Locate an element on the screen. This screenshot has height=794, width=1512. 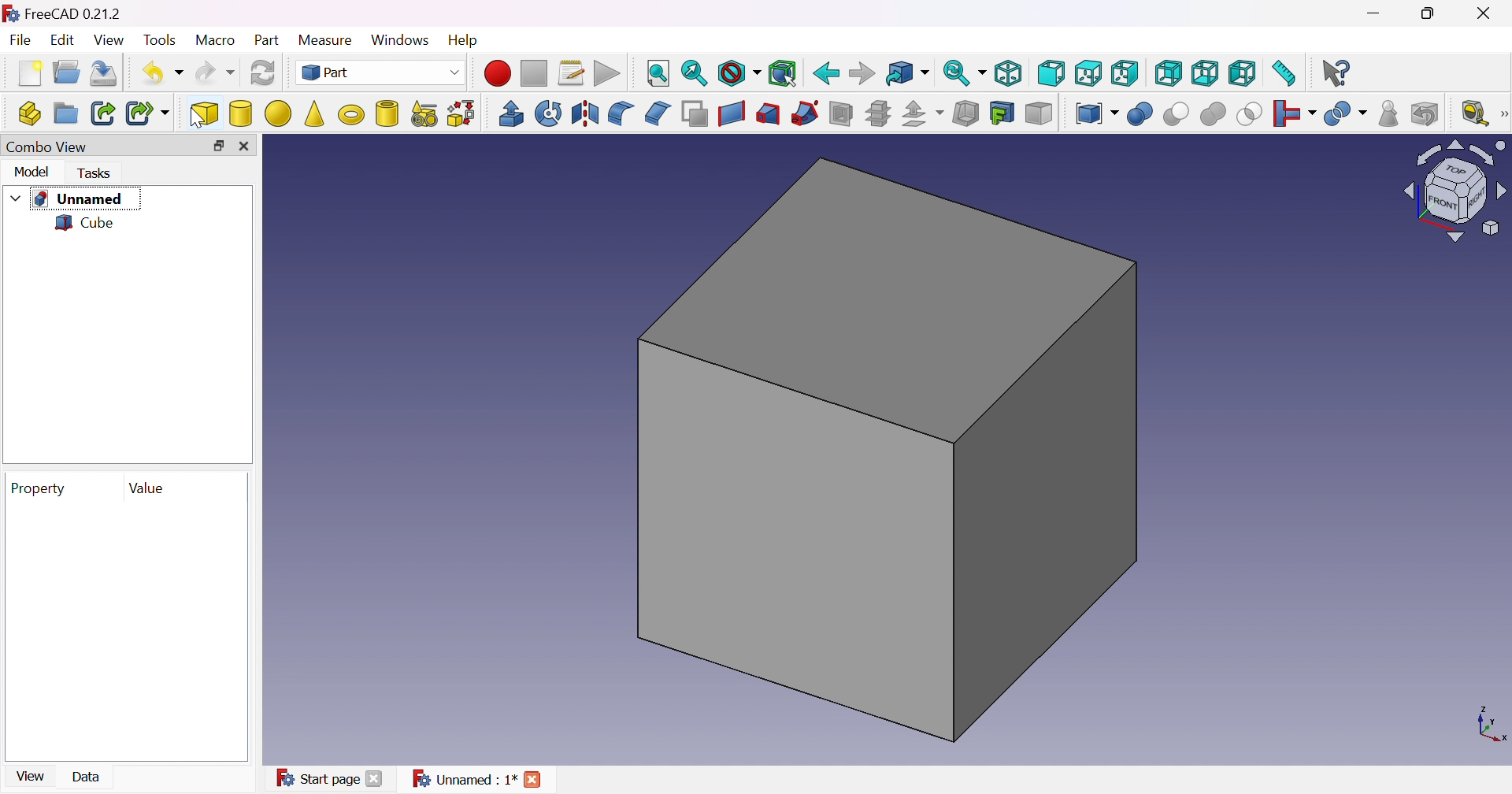
Defeaturing is located at coordinates (1427, 114).